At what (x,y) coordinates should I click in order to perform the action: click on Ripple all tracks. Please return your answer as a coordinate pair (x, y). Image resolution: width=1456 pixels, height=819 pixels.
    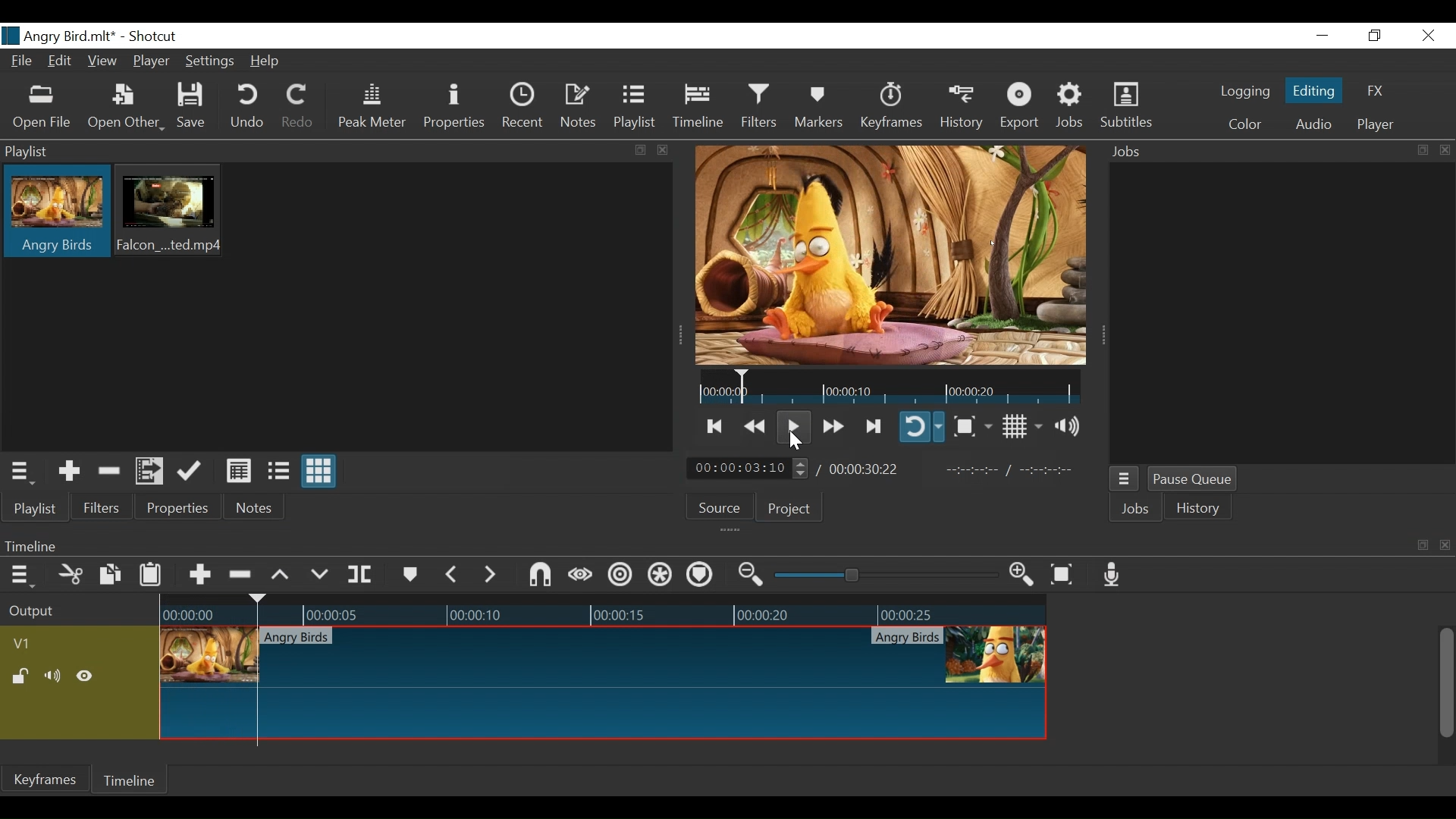
    Looking at the image, I should click on (659, 576).